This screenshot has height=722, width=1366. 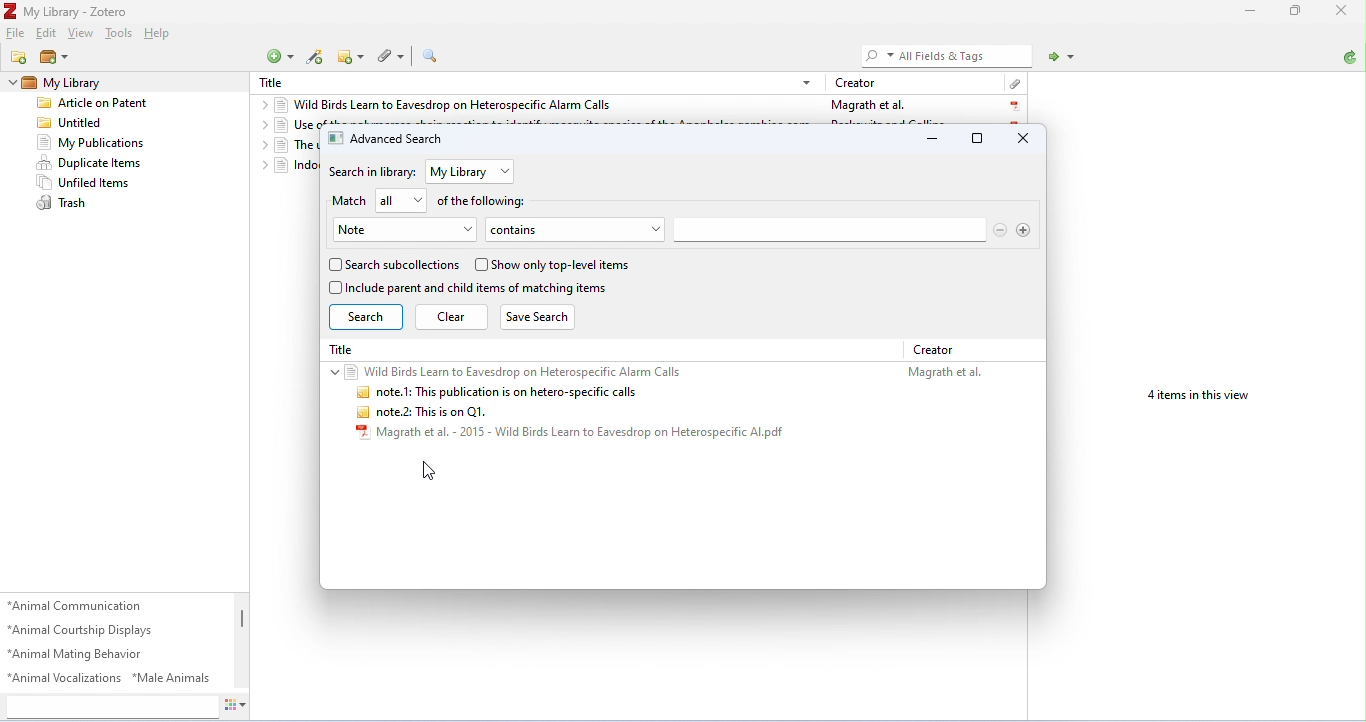 I want to click on tools, so click(x=122, y=34).